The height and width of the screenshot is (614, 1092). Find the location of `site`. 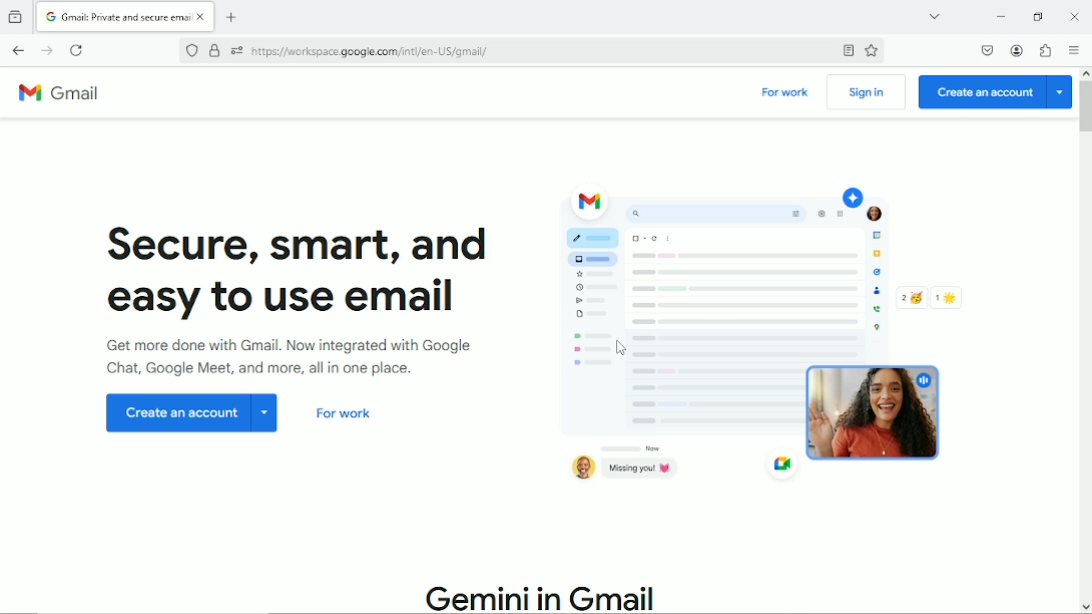

site is located at coordinates (371, 51).